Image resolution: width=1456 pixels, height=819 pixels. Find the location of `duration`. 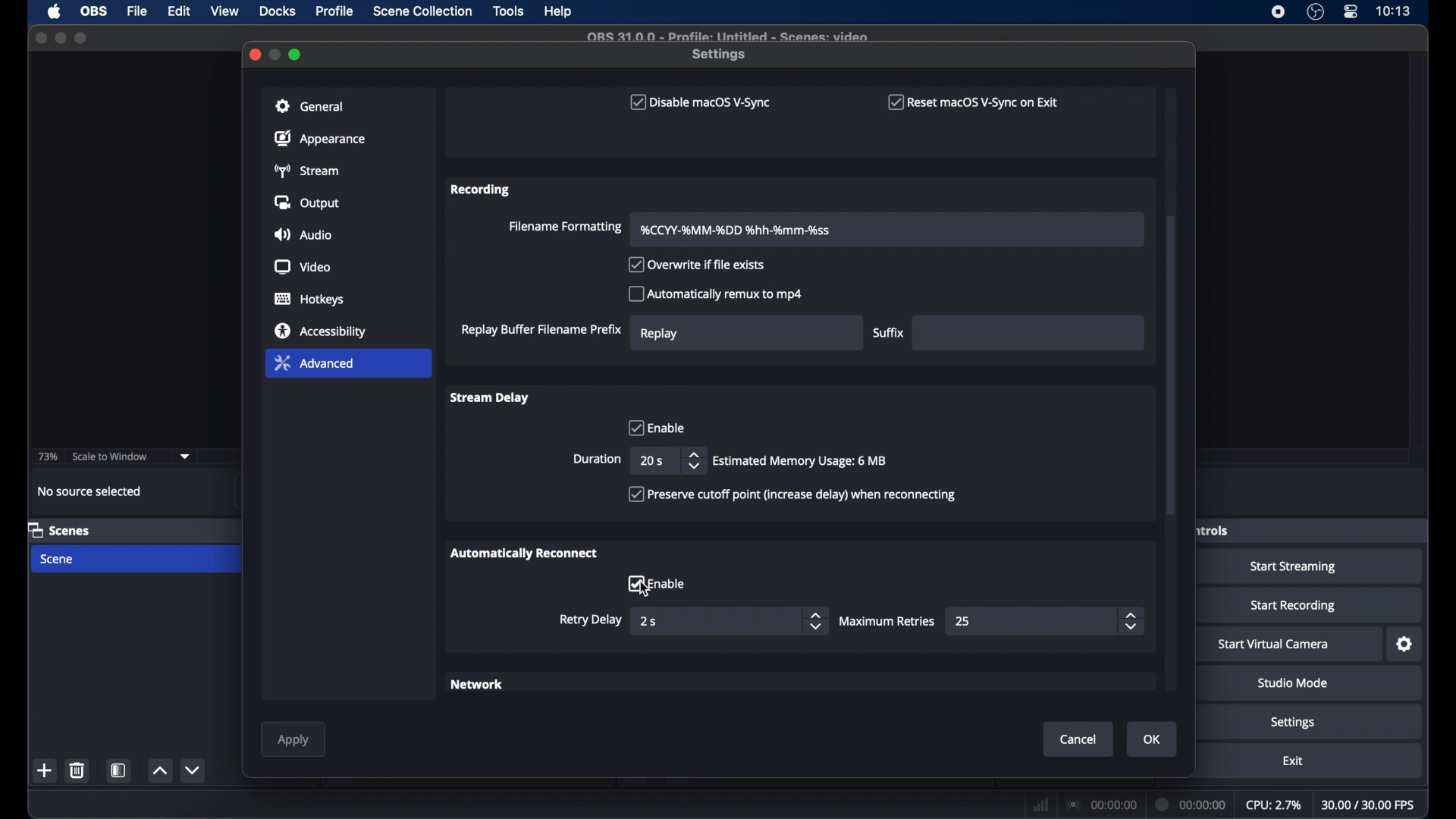

duration is located at coordinates (1191, 803).